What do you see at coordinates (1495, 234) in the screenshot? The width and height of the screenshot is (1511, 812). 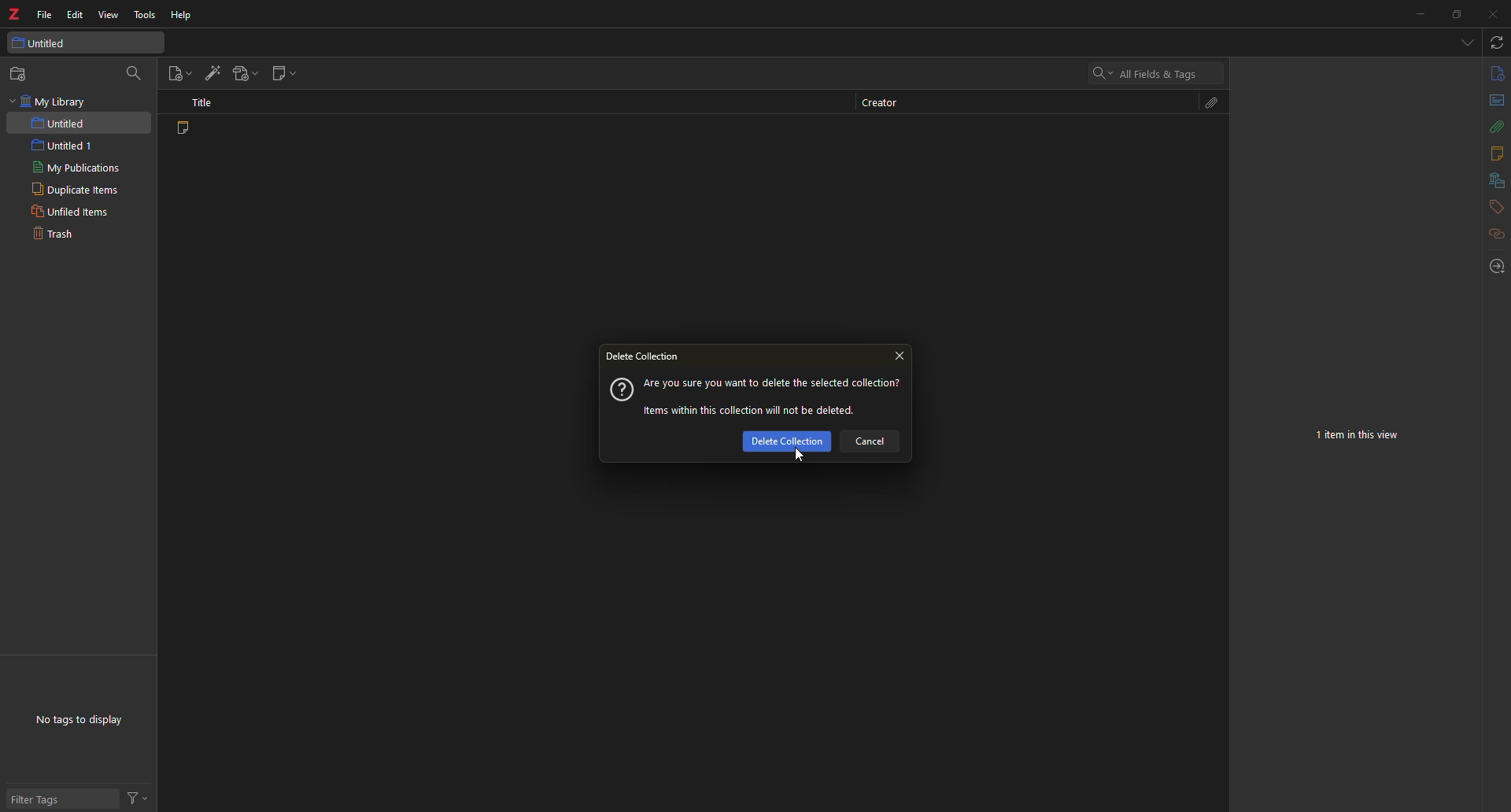 I see `related` at bounding box center [1495, 234].